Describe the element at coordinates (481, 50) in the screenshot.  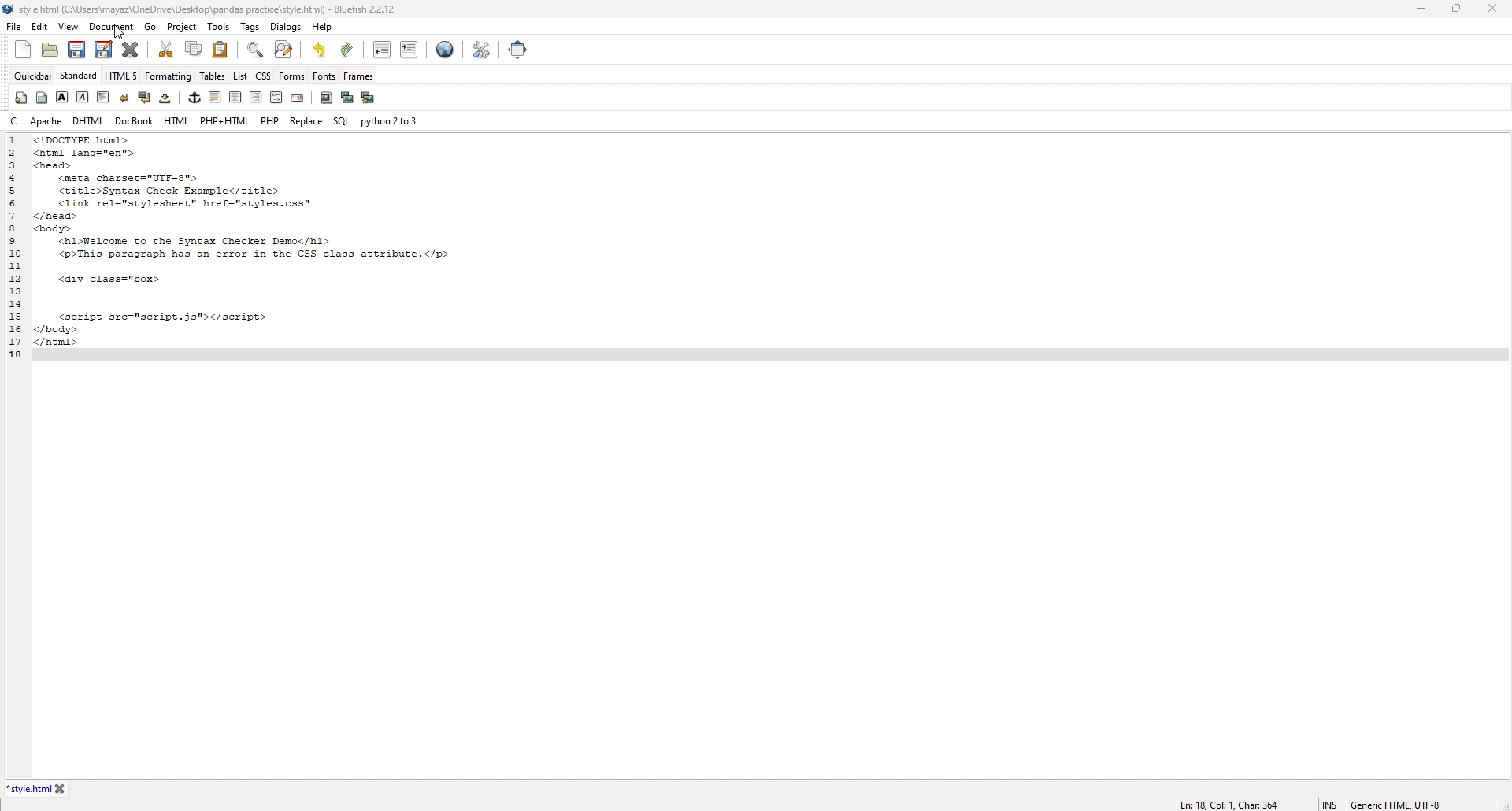
I see `edit preference` at that location.